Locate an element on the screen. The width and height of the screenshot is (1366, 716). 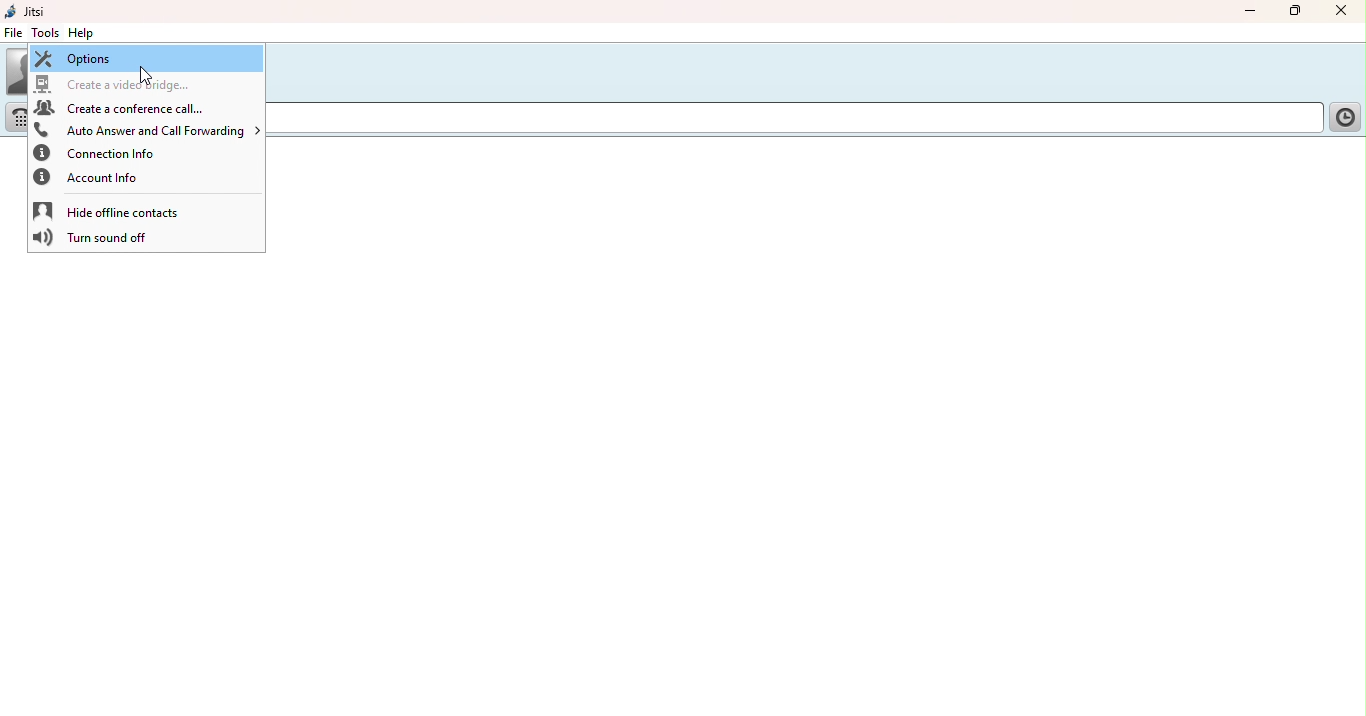
Enter name or number is located at coordinates (794, 120).